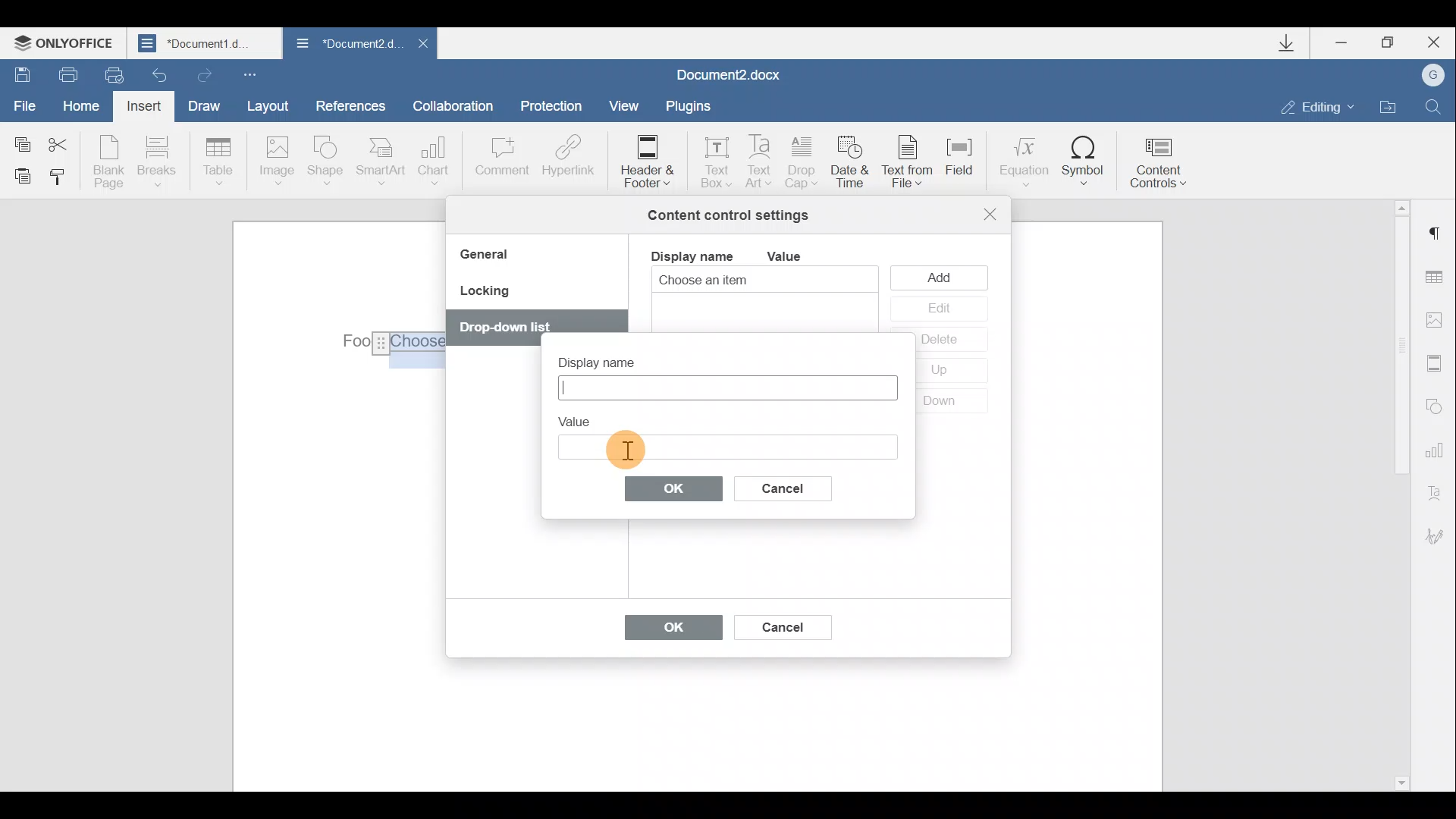 The height and width of the screenshot is (819, 1456). Describe the element at coordinates (1438, 362) in the screenshot. I see `Header & footer settings` at that location.